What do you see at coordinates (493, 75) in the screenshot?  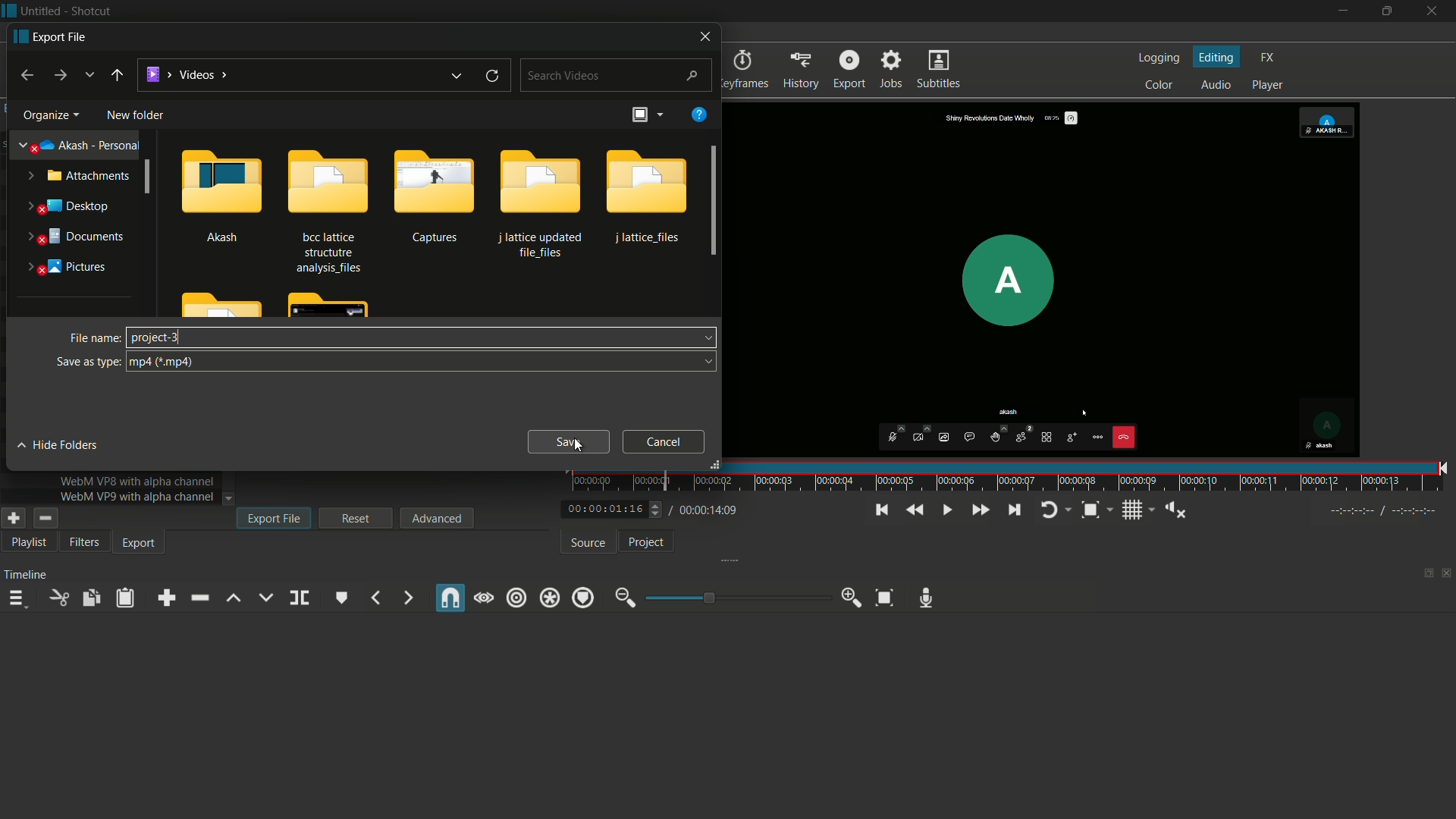 I see `refresh` at bounding box center [493, 75].